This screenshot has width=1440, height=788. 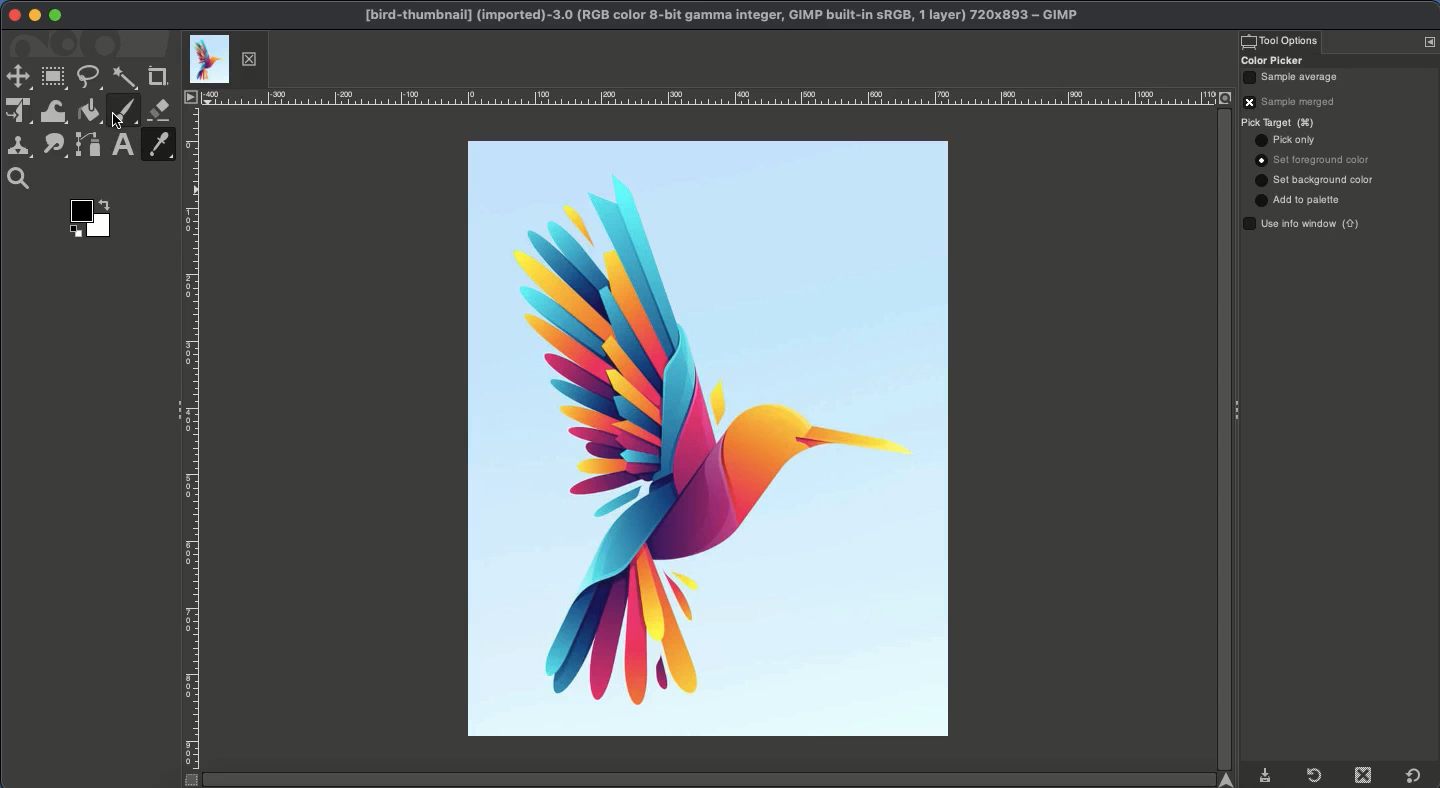 I want to click on Set back background color, so click(x=1317, y=180).